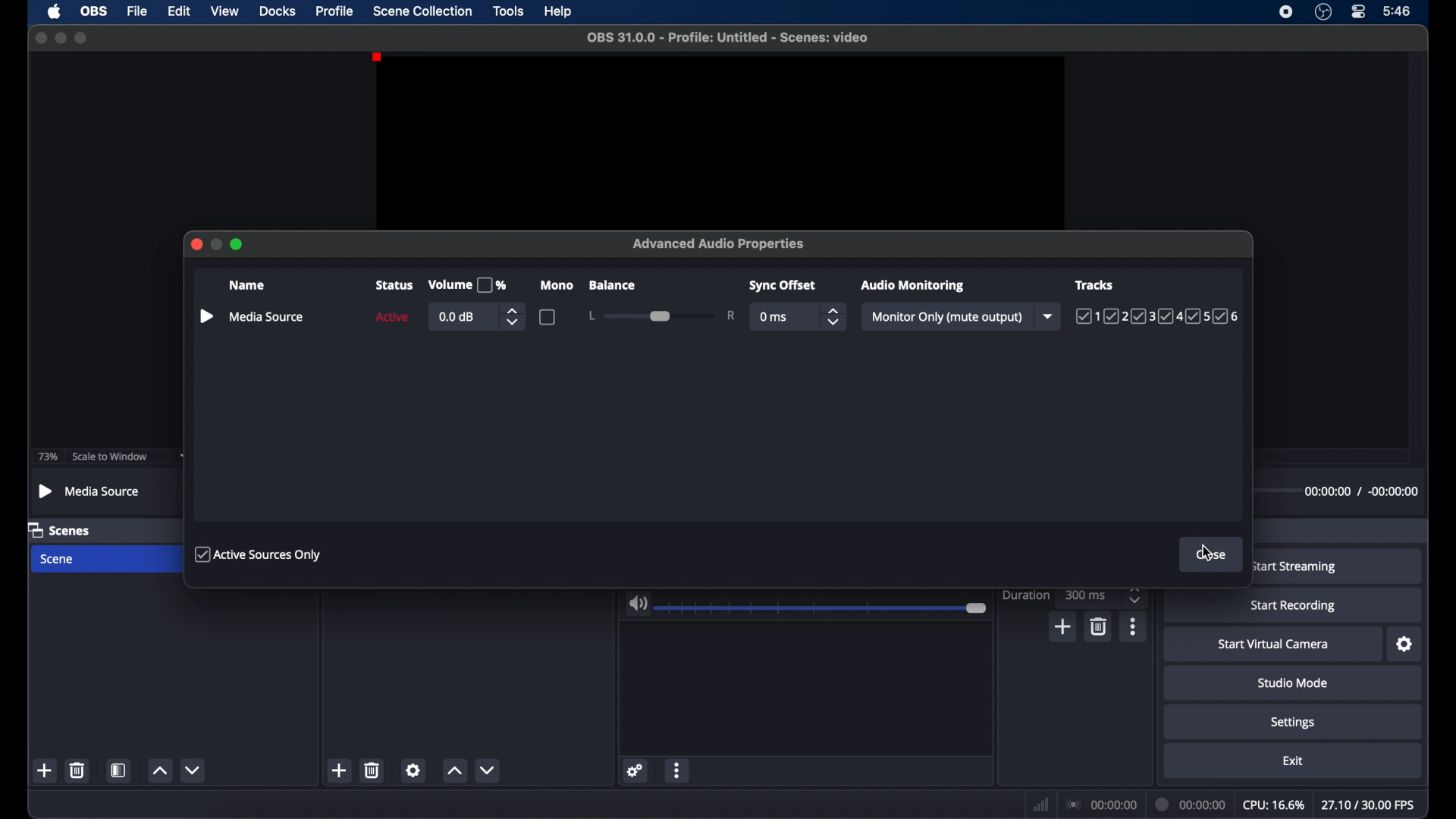  What do you see at coordinates (1273, 805) in the screenshot?
I see `cpu` at bounding box center [1273, 805].